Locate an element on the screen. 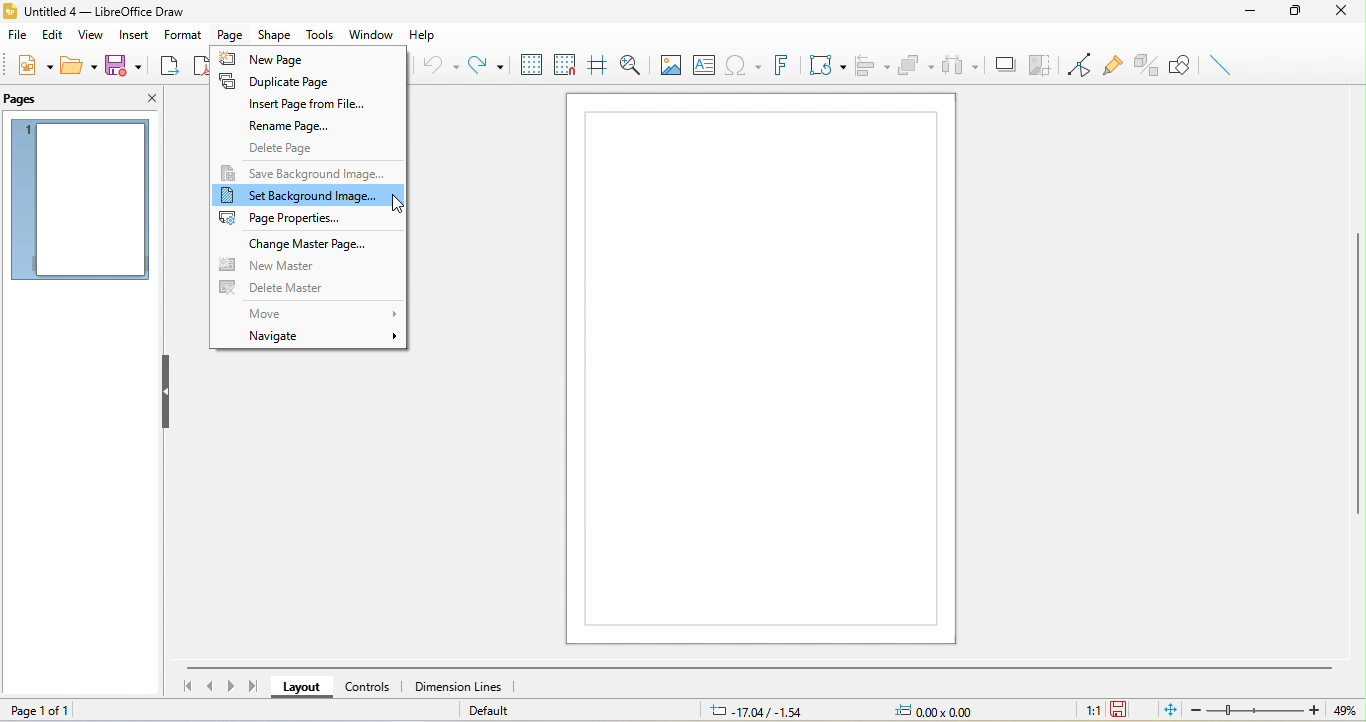  canvas is located at coordinates (762, 368).